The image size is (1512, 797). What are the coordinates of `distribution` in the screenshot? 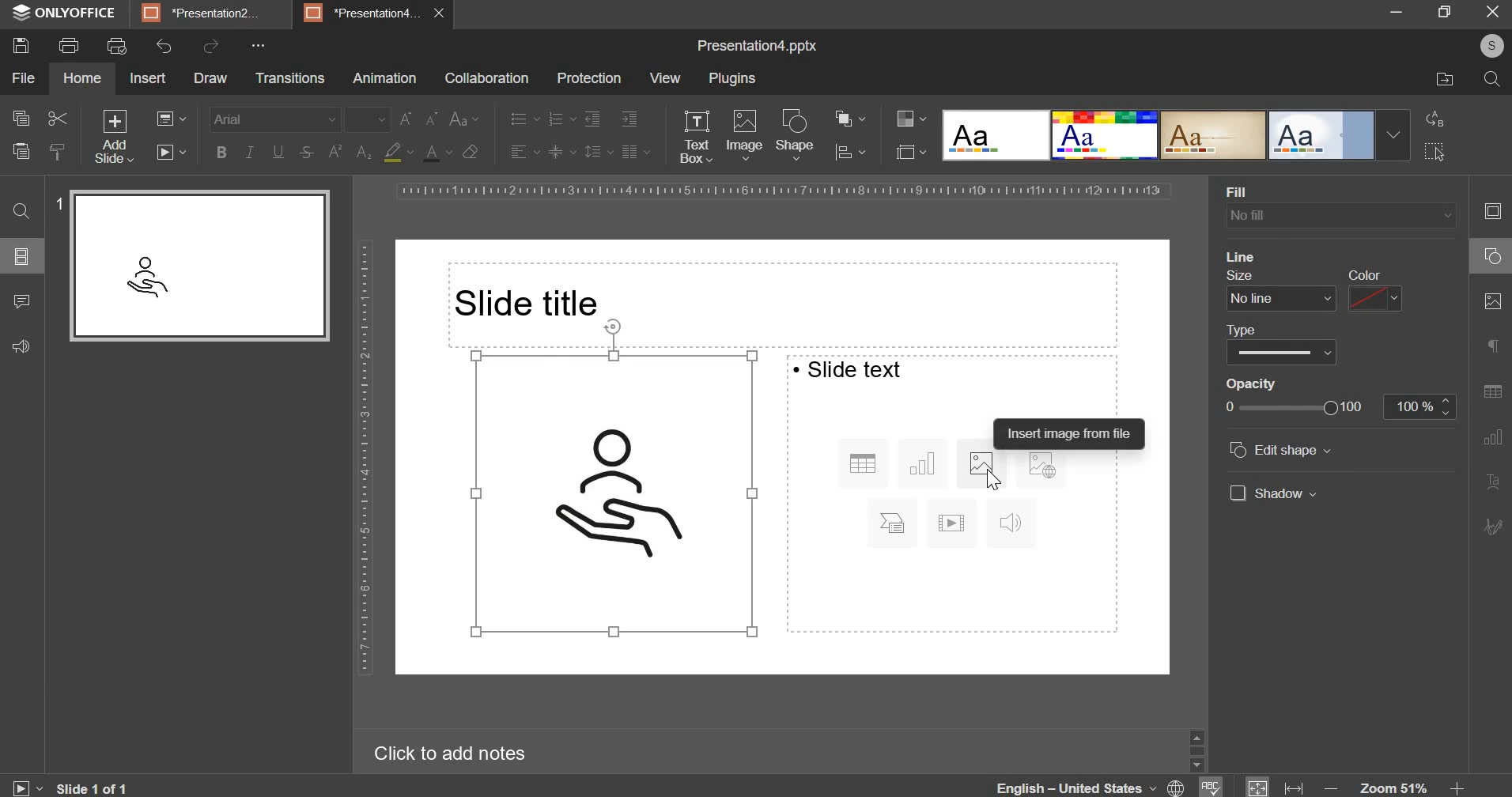 It's located at (847, 152).